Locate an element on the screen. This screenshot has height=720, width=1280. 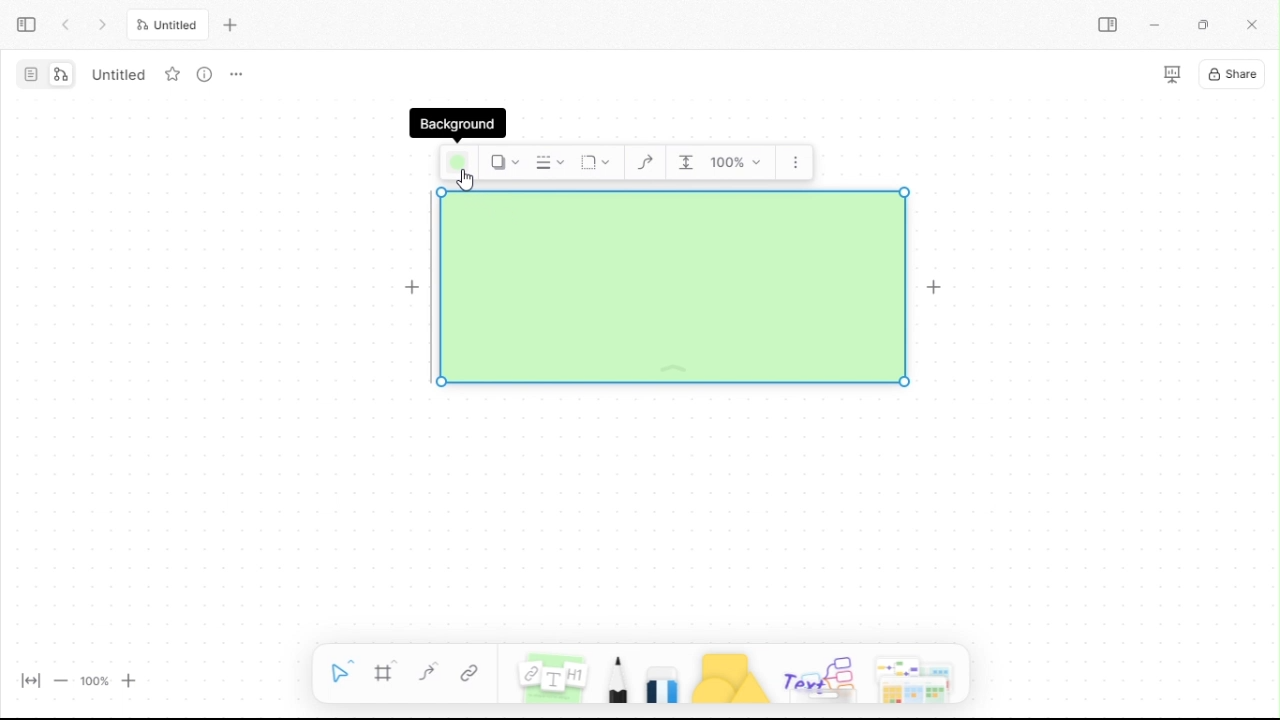
switch is located at coordinates (46, 74).